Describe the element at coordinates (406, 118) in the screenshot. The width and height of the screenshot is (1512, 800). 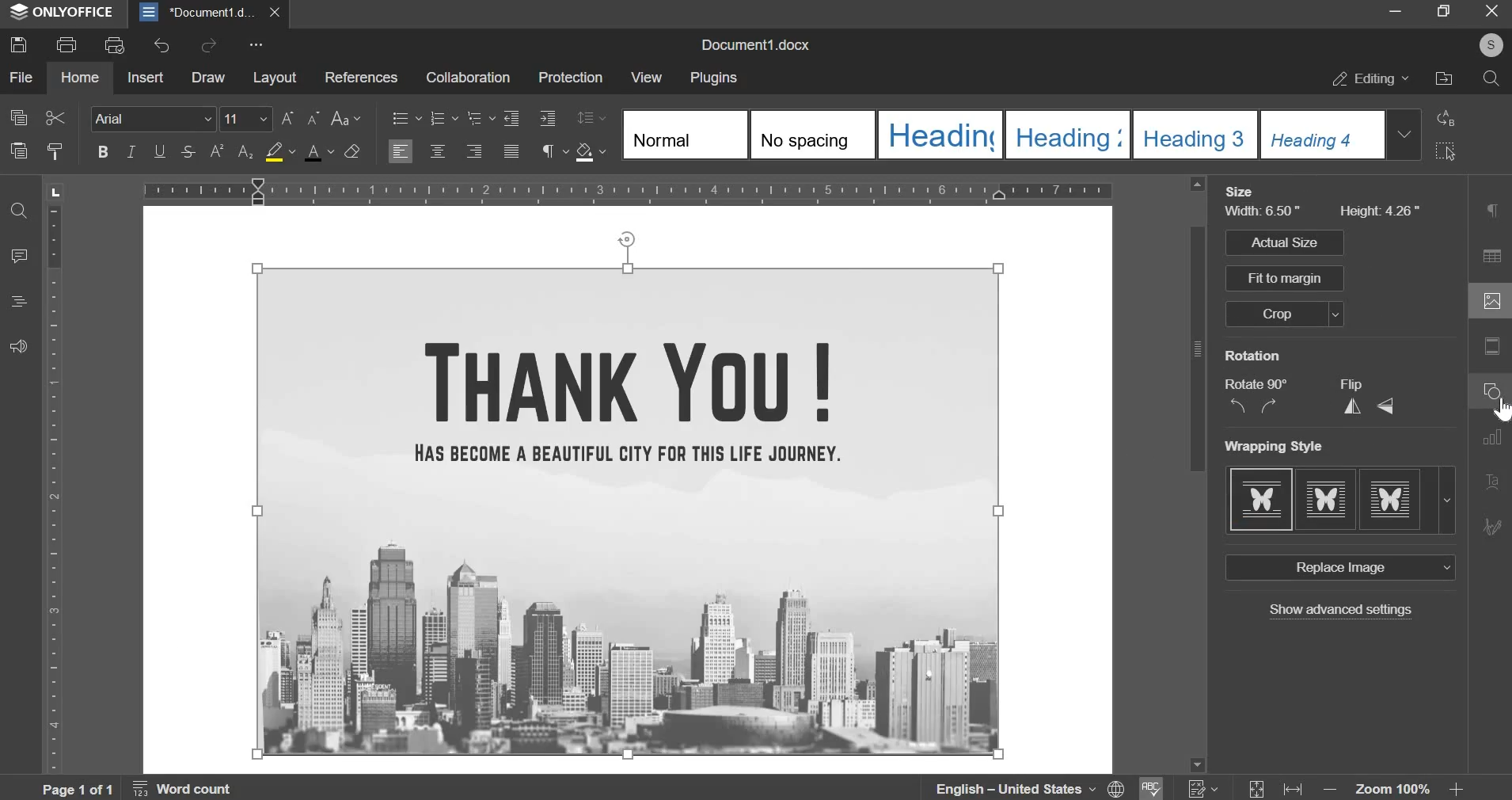
I see `bullets` at that location.